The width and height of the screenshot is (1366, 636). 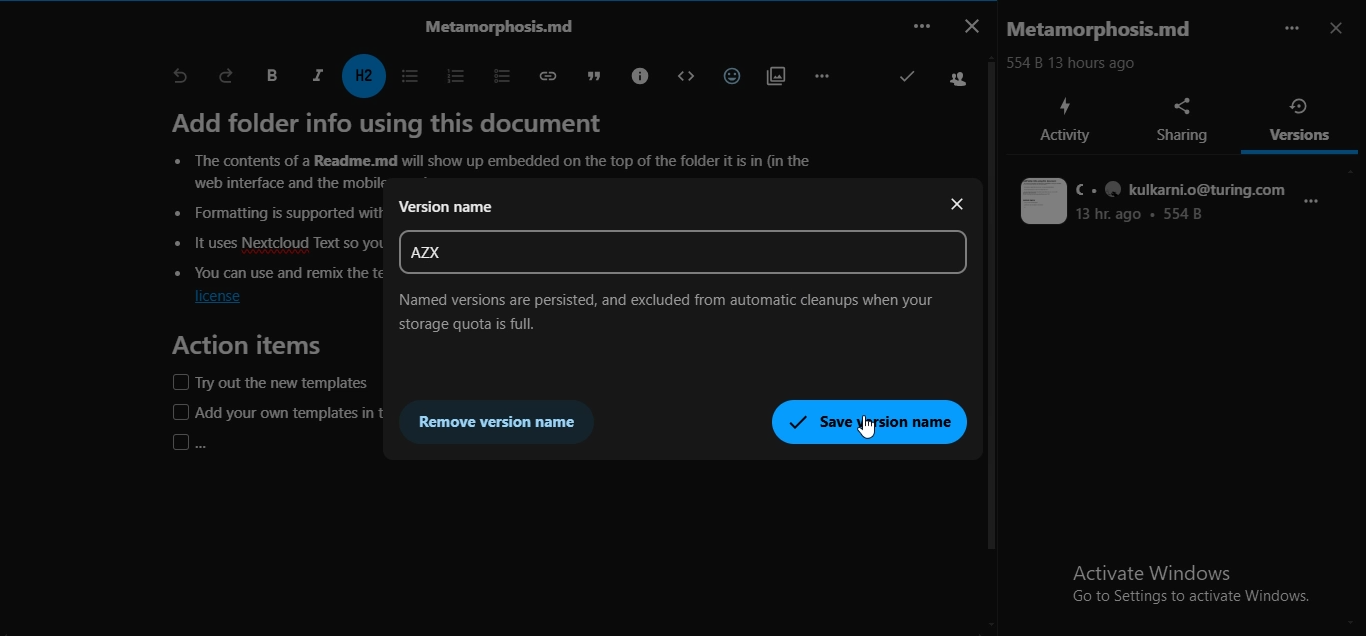 What do you see at coordinates (498, 144) in the screenshot?
I see `text` at bounding box center [498, 144].